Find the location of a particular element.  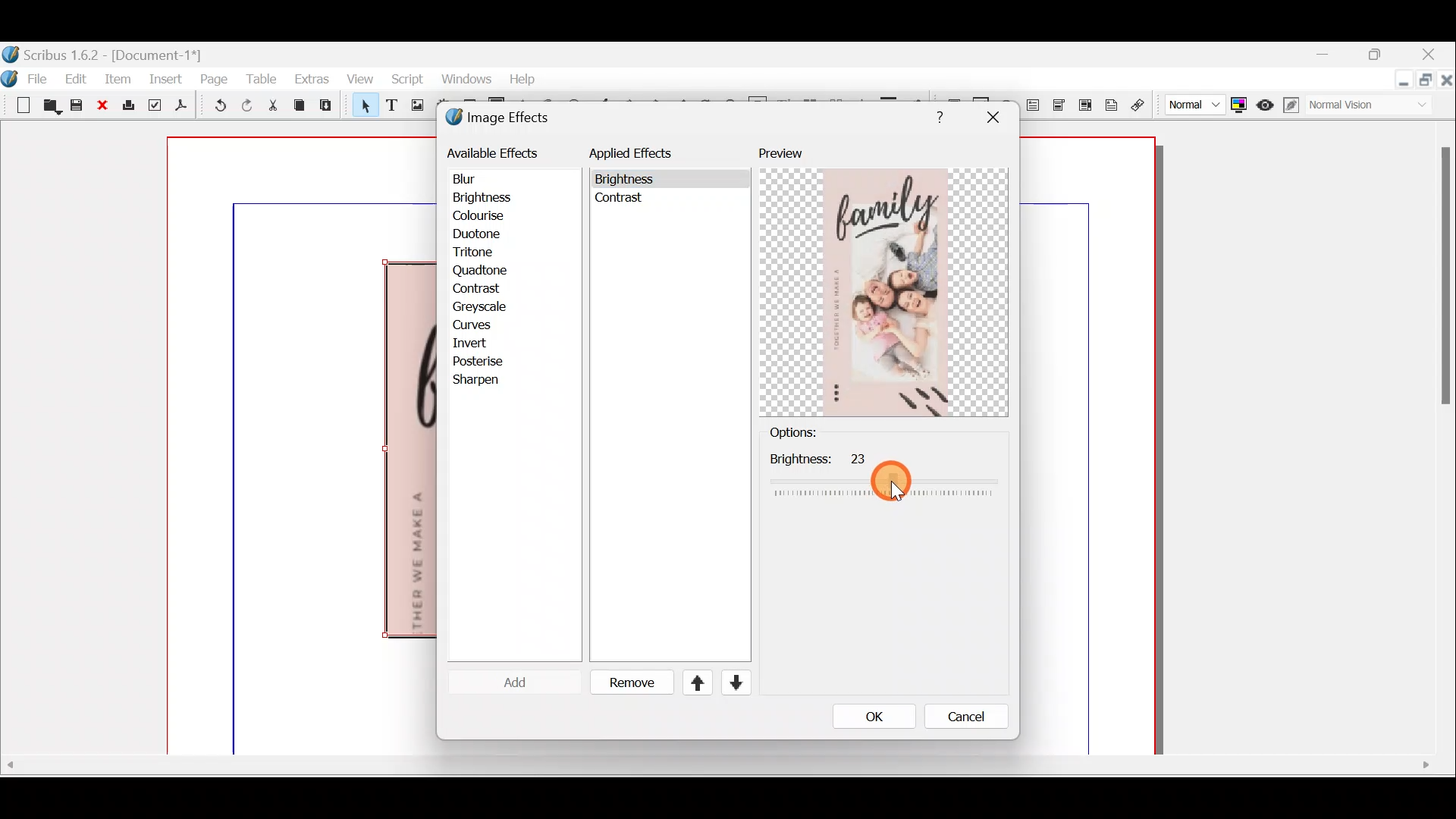

File is located at coordinates (42, 77).